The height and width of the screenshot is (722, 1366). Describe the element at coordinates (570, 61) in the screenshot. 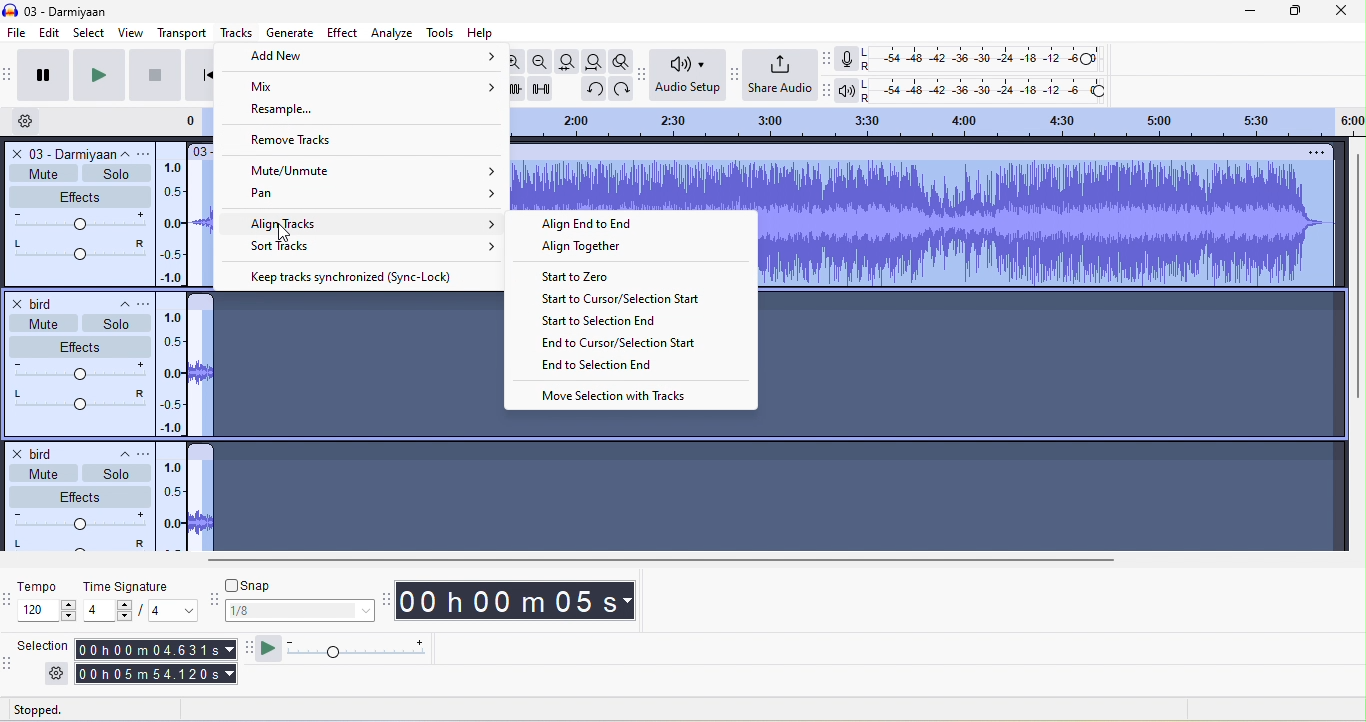

I see `file selection to width` at that location.